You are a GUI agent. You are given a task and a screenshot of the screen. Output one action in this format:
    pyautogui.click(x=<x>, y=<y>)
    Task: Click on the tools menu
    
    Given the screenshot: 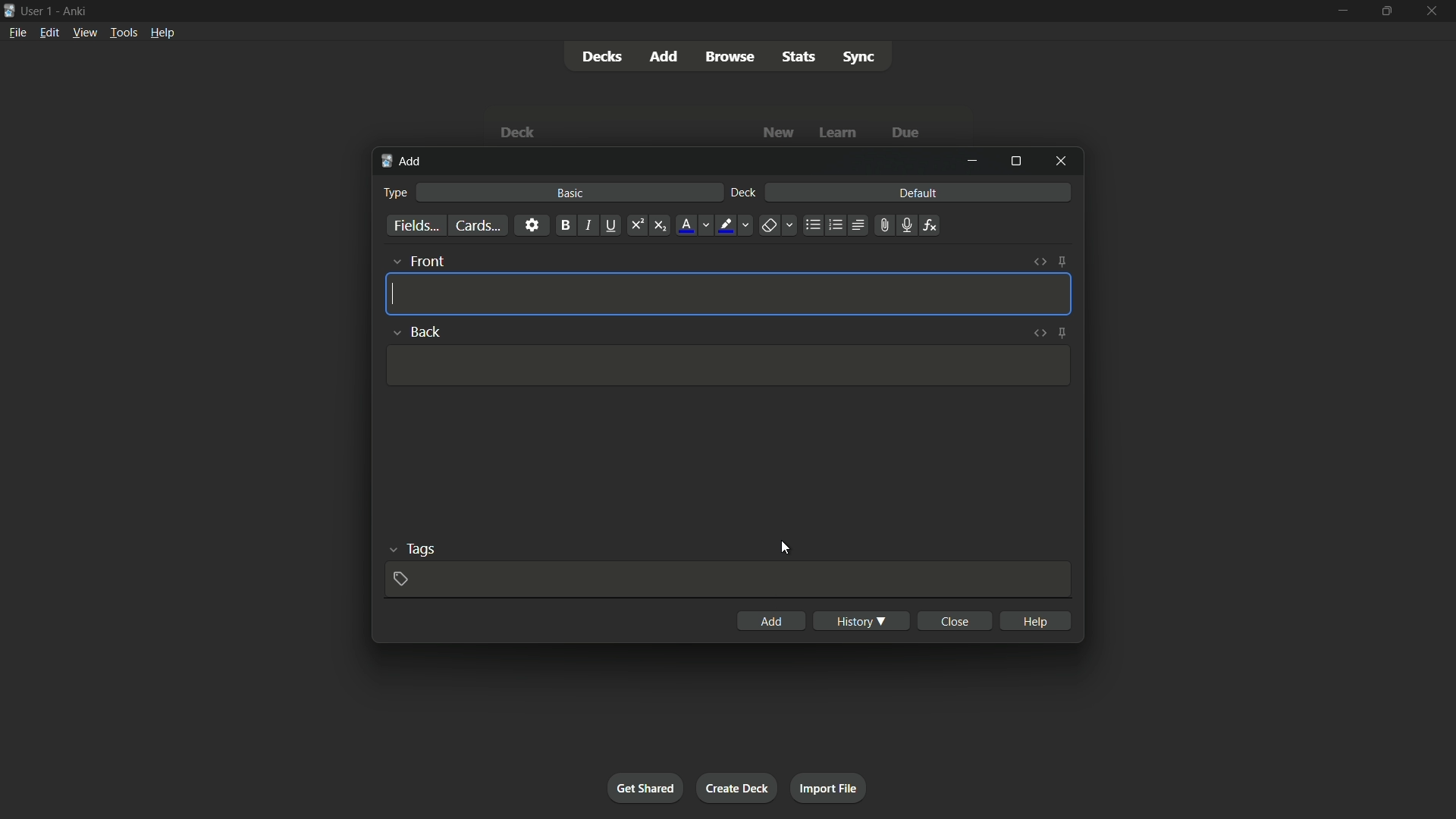 What is the action you would take?
    pyautogui.click(x=124, y=32)
    